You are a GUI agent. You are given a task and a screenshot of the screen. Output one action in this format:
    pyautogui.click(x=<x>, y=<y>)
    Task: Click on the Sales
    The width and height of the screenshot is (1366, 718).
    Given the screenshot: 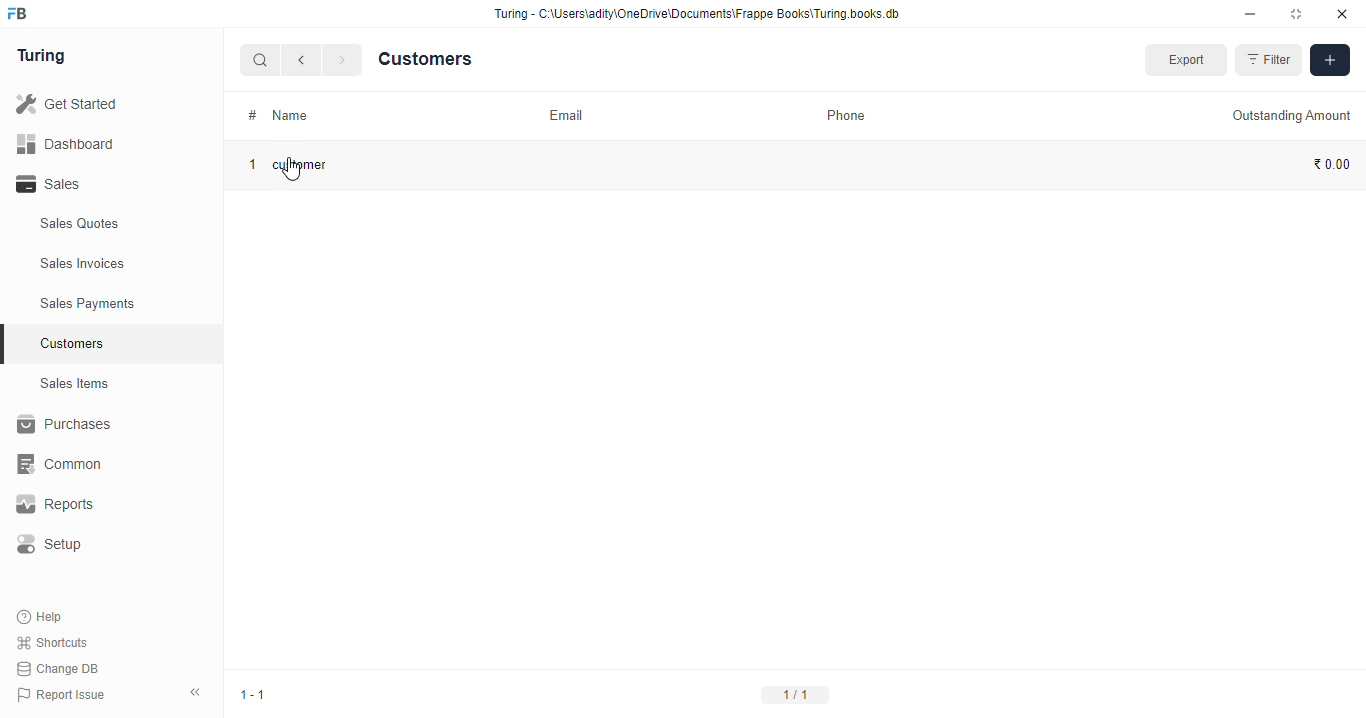 What is the action you would take?
    pyautogui.click(x=98, y=184)
    